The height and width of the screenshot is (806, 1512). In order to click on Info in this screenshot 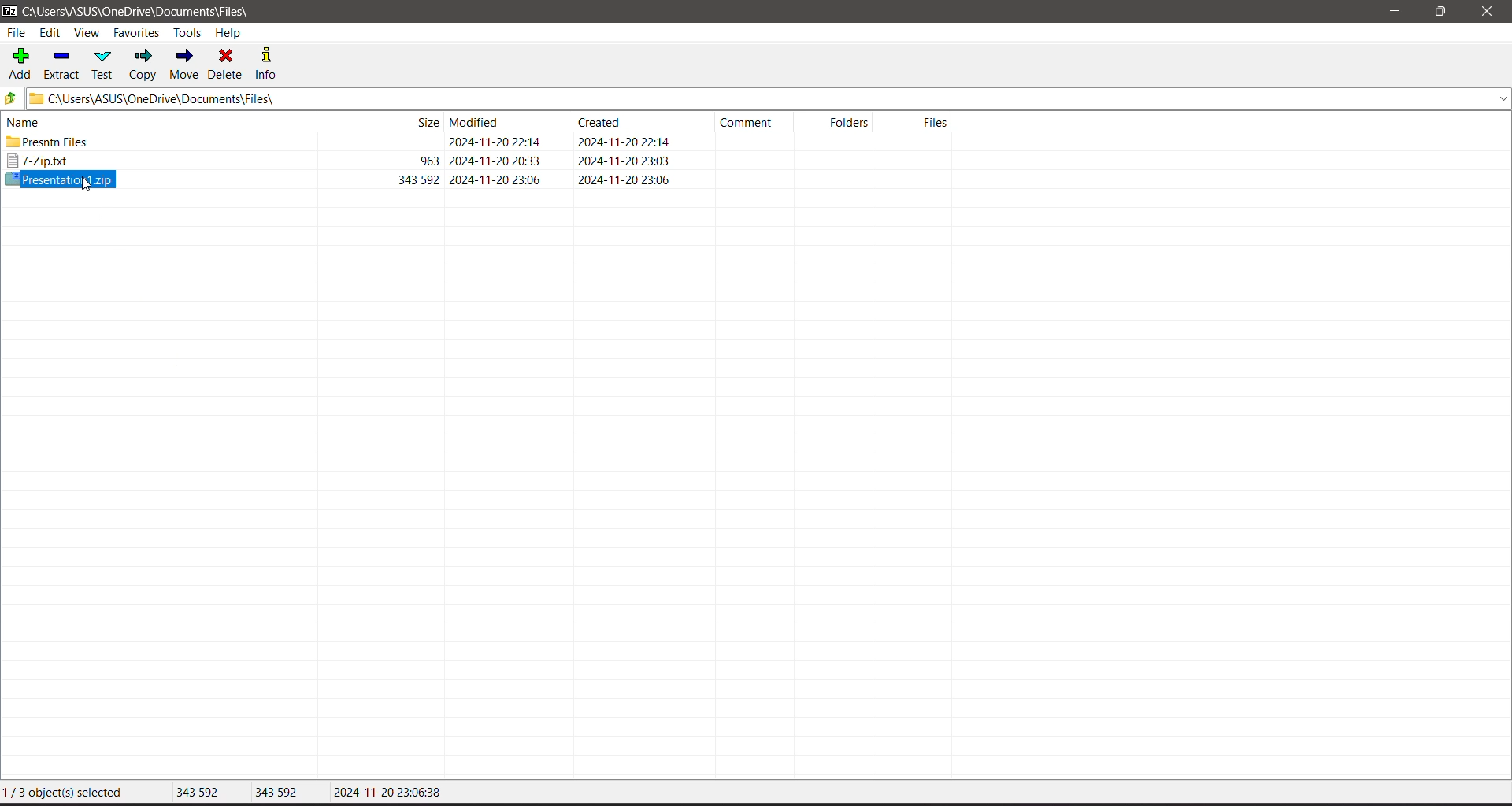, I will do `click(272, 63)`.